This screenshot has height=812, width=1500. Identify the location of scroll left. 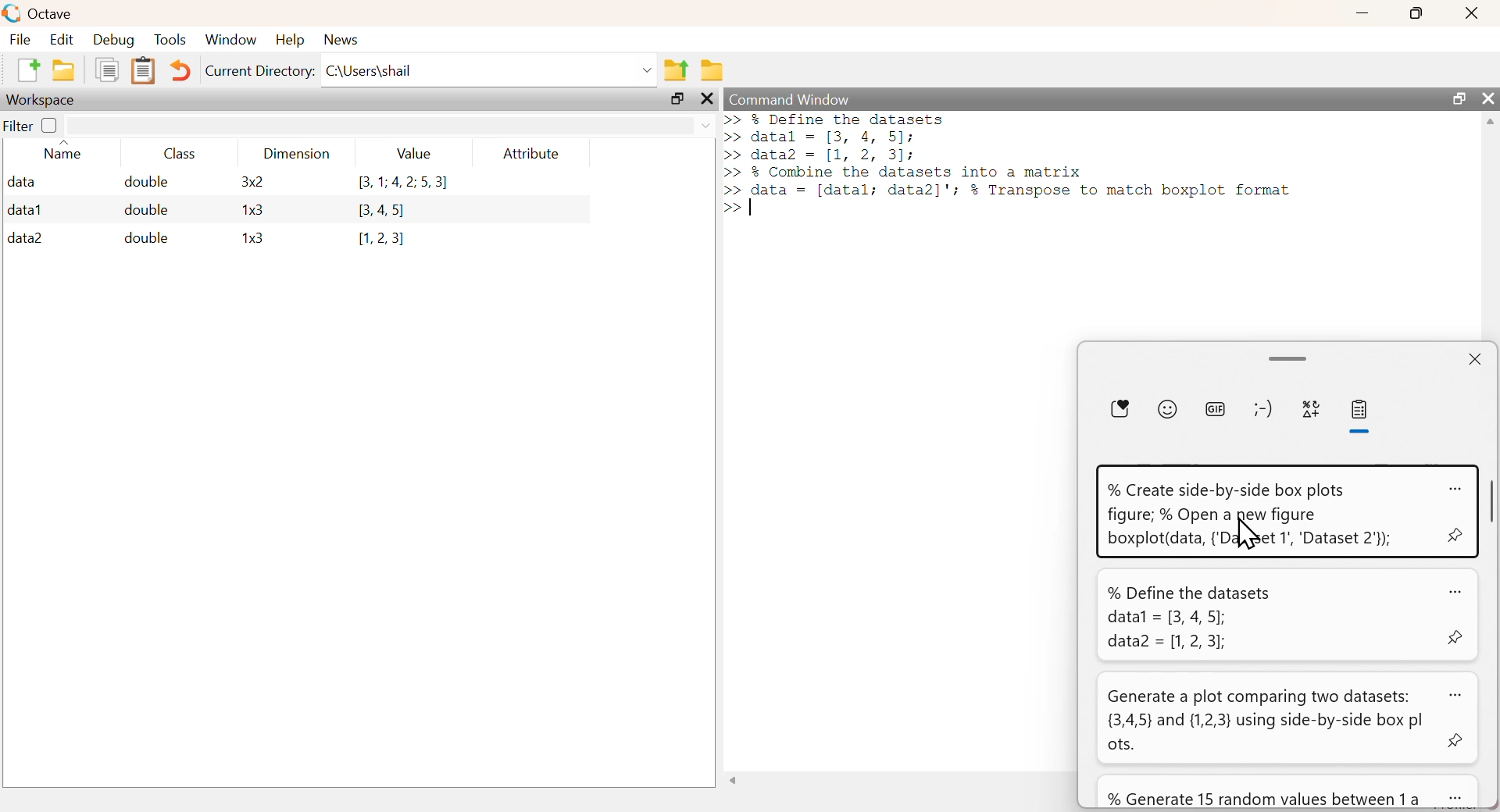
(736, 782).